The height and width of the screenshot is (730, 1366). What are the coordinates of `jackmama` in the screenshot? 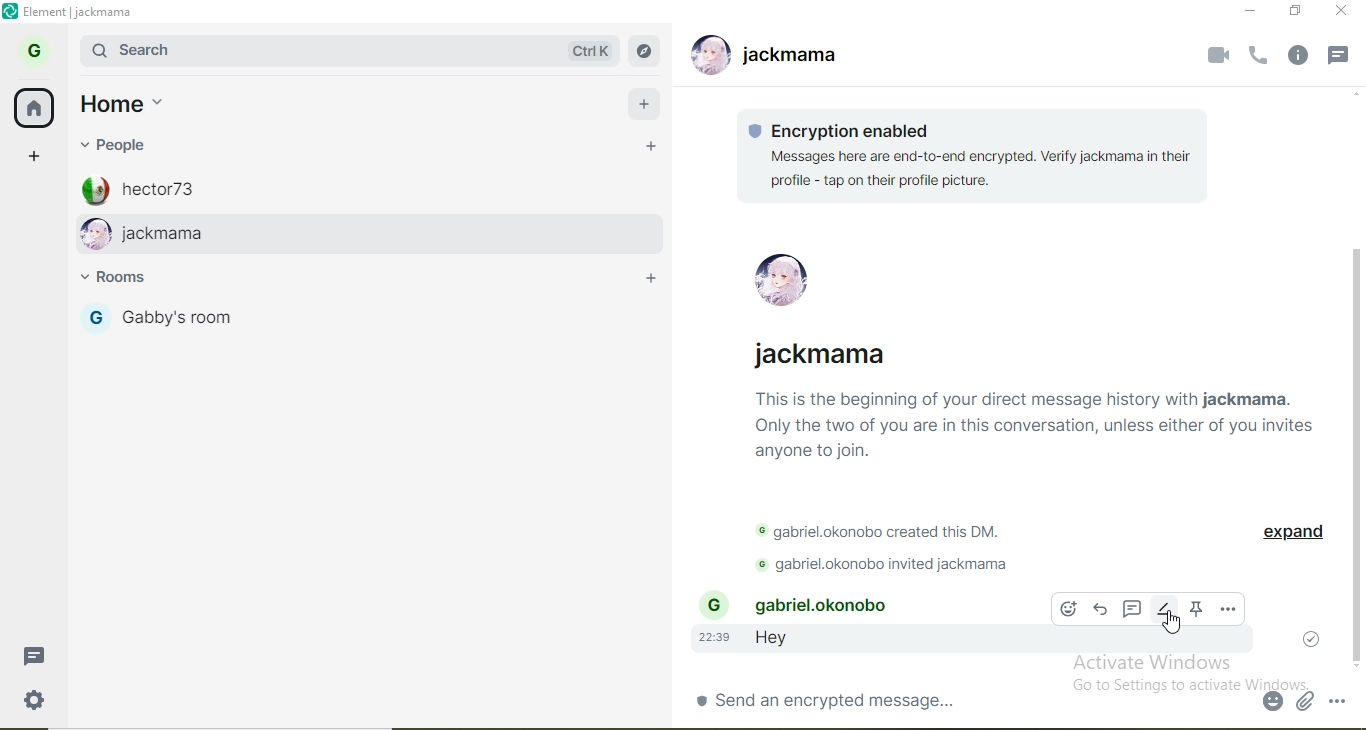 It's located at (793, 56).